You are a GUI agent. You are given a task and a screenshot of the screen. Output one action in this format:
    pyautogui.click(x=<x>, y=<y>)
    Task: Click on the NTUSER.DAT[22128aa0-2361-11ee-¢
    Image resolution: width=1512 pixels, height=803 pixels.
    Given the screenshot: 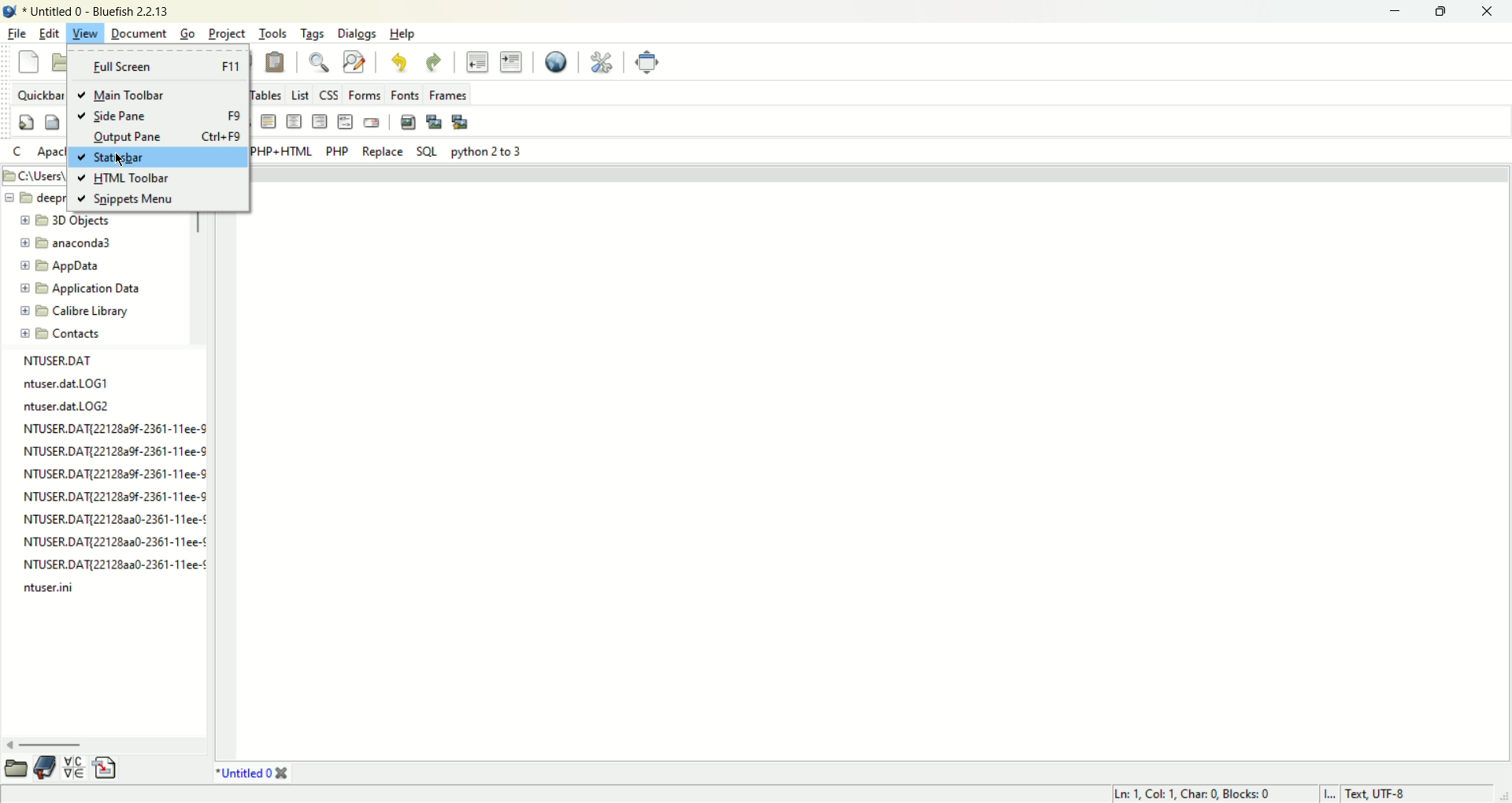 What is the action you would take?
    pyautogui.click(x=111, y=564)
    